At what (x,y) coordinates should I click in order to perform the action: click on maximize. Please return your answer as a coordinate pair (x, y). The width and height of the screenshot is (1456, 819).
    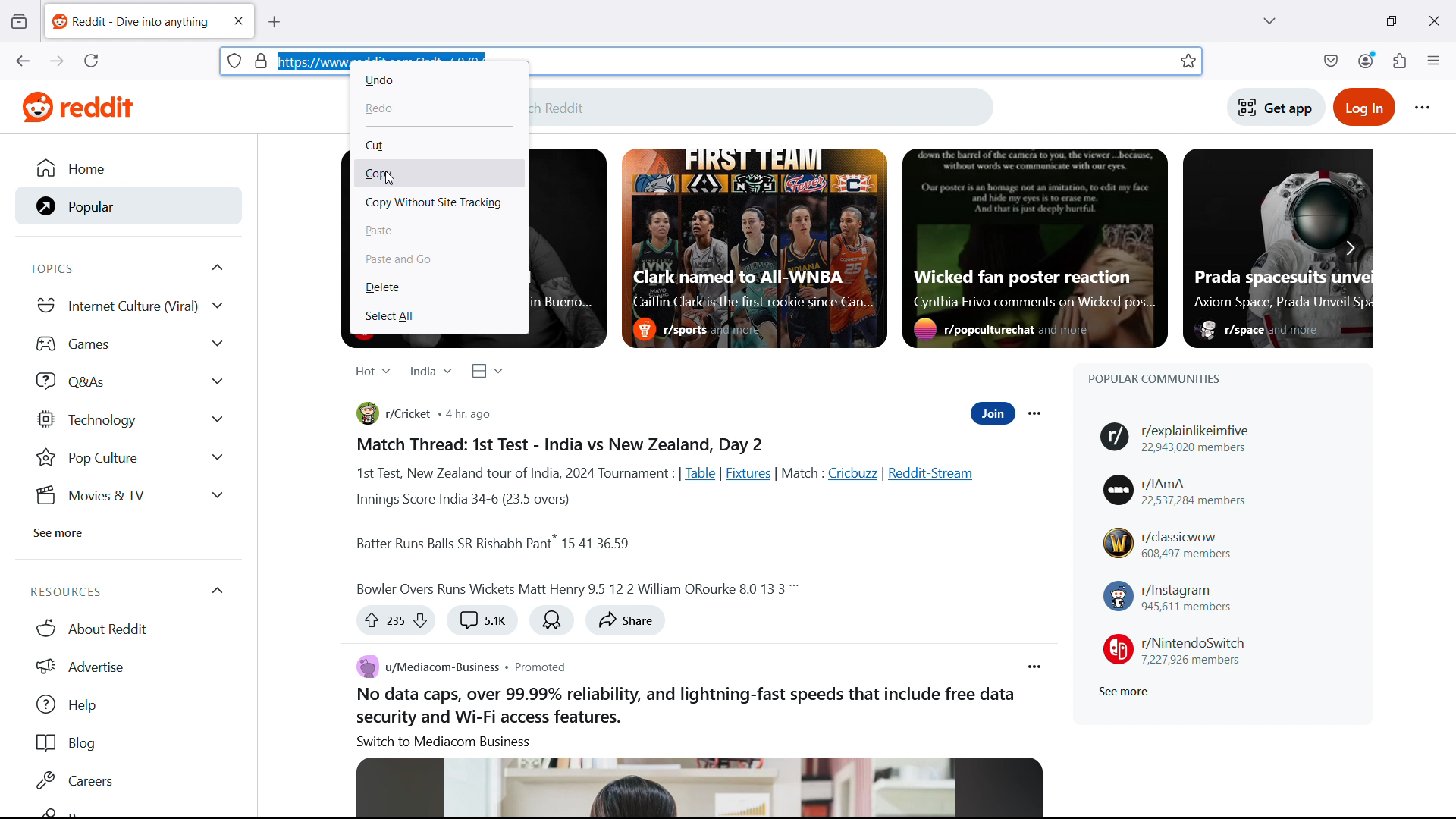
    Looking at the image, I should click on (1391, 19).